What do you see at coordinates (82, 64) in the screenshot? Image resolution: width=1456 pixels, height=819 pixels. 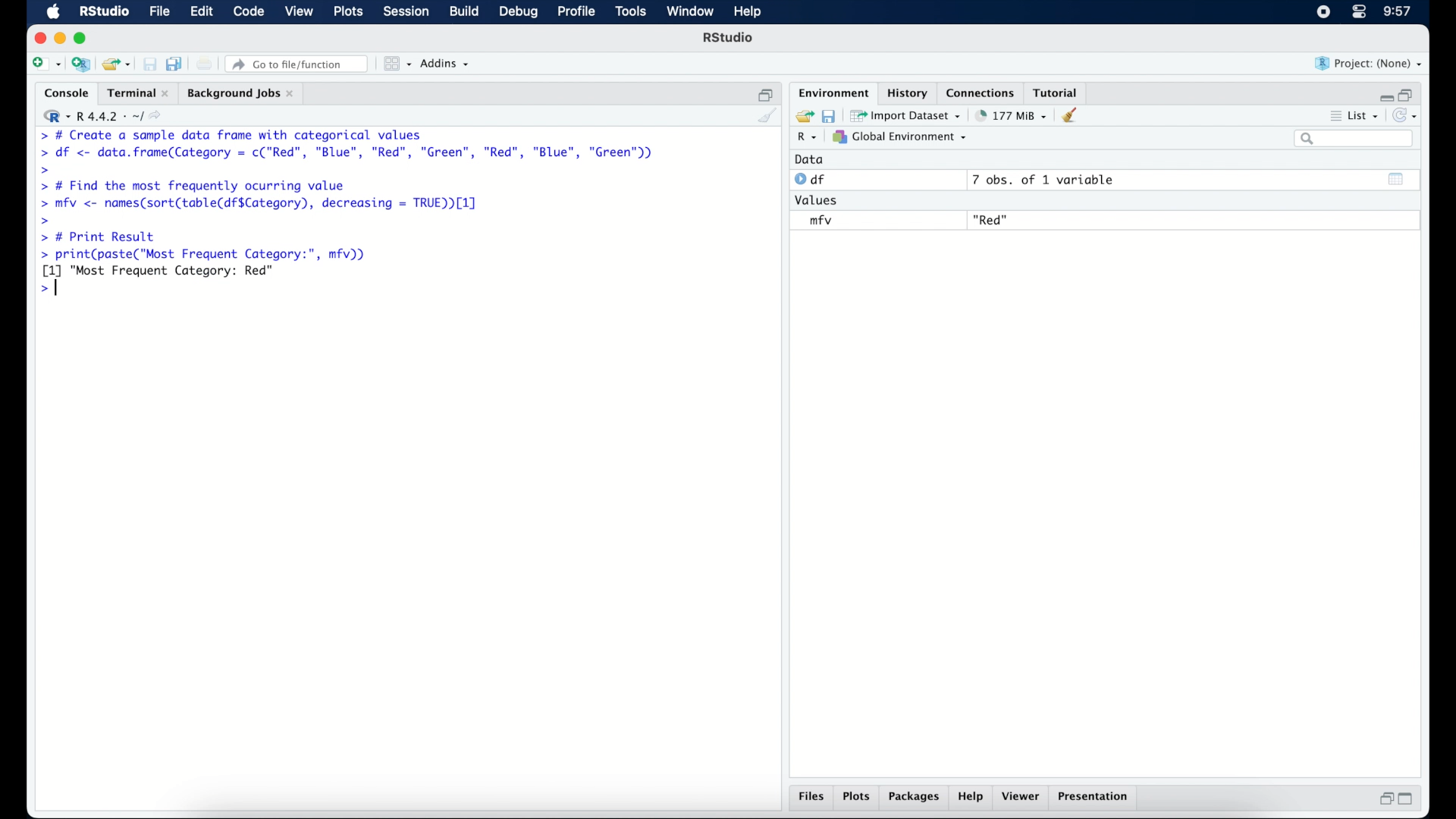 I see `create a project` at bounding box center [82, 64].